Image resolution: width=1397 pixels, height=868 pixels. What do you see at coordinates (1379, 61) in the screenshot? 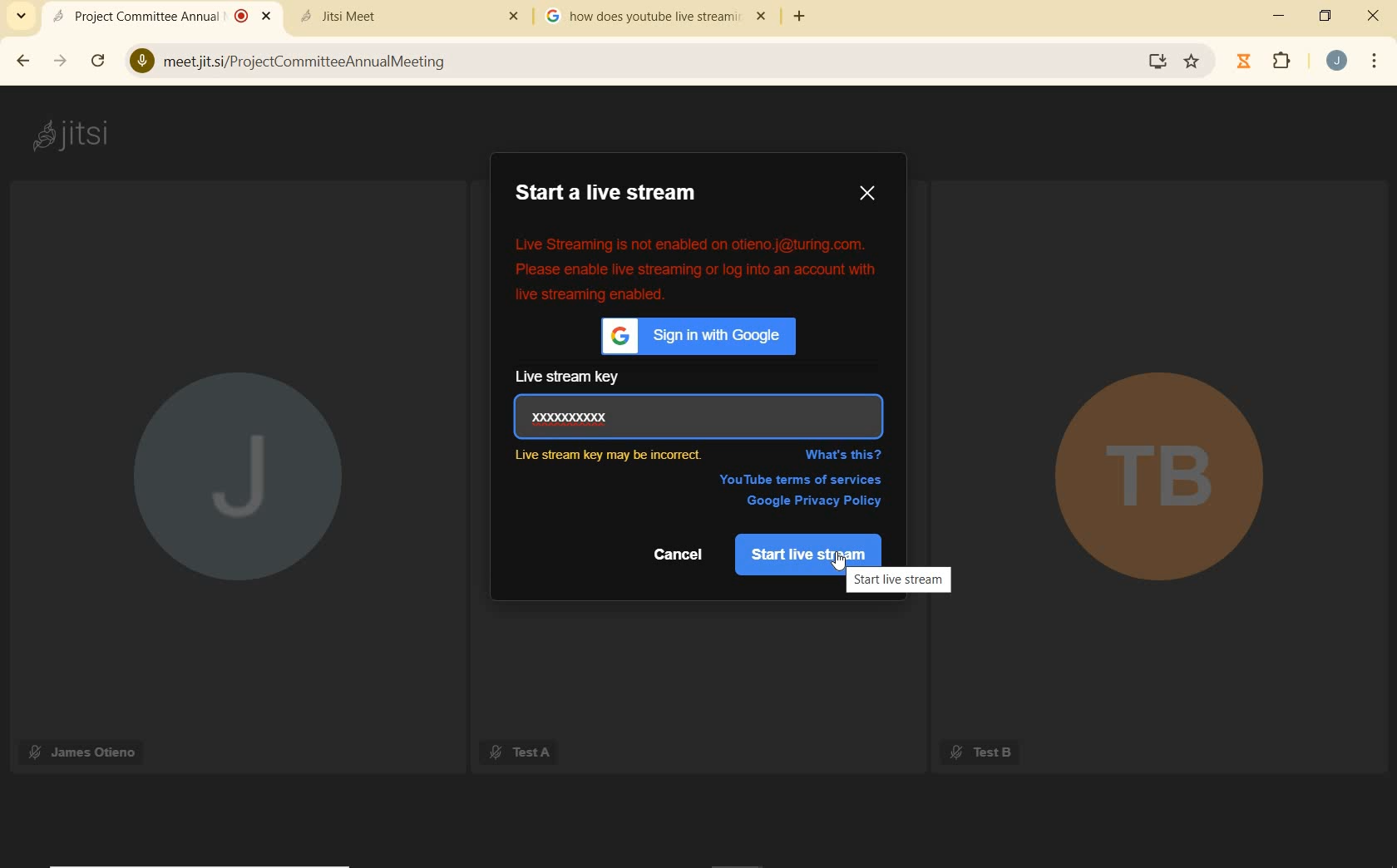
I see `customize google chrome` at bounding box center [1379, 61].